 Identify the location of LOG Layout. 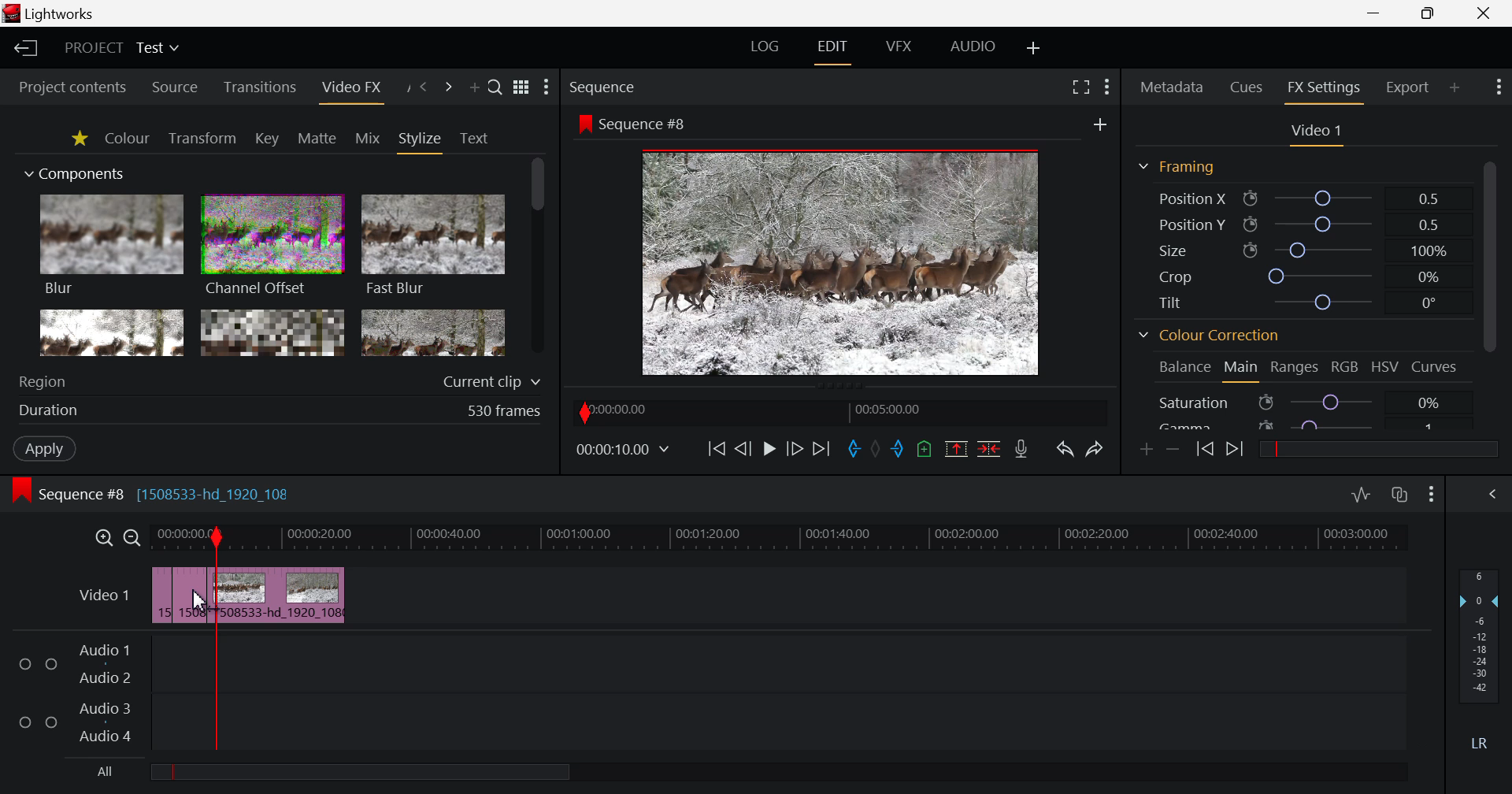
(765, 47).